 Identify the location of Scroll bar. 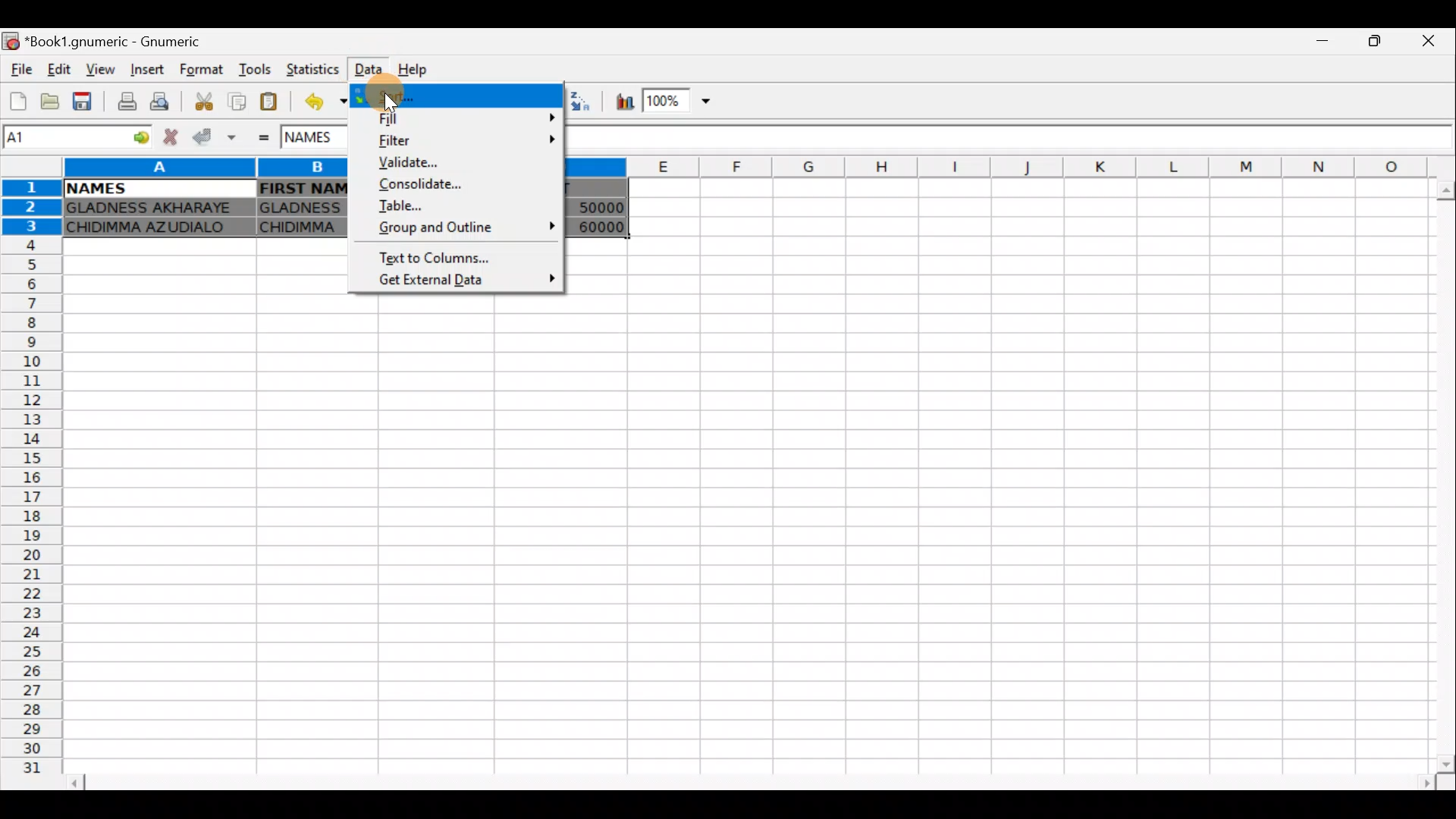
(749, 783).